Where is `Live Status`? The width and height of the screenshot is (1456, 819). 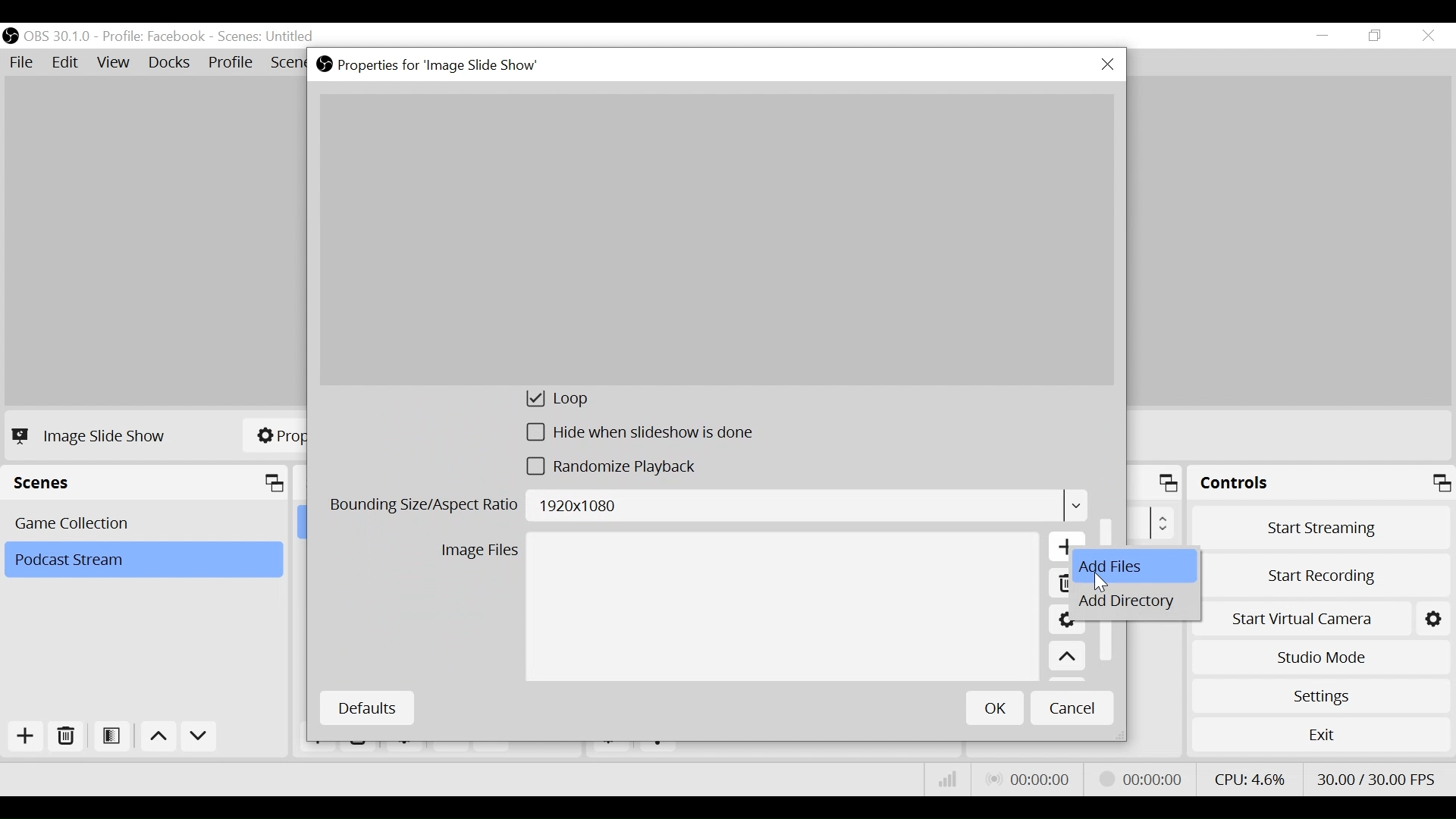
Live Status is located at coordinates (1027, 780).